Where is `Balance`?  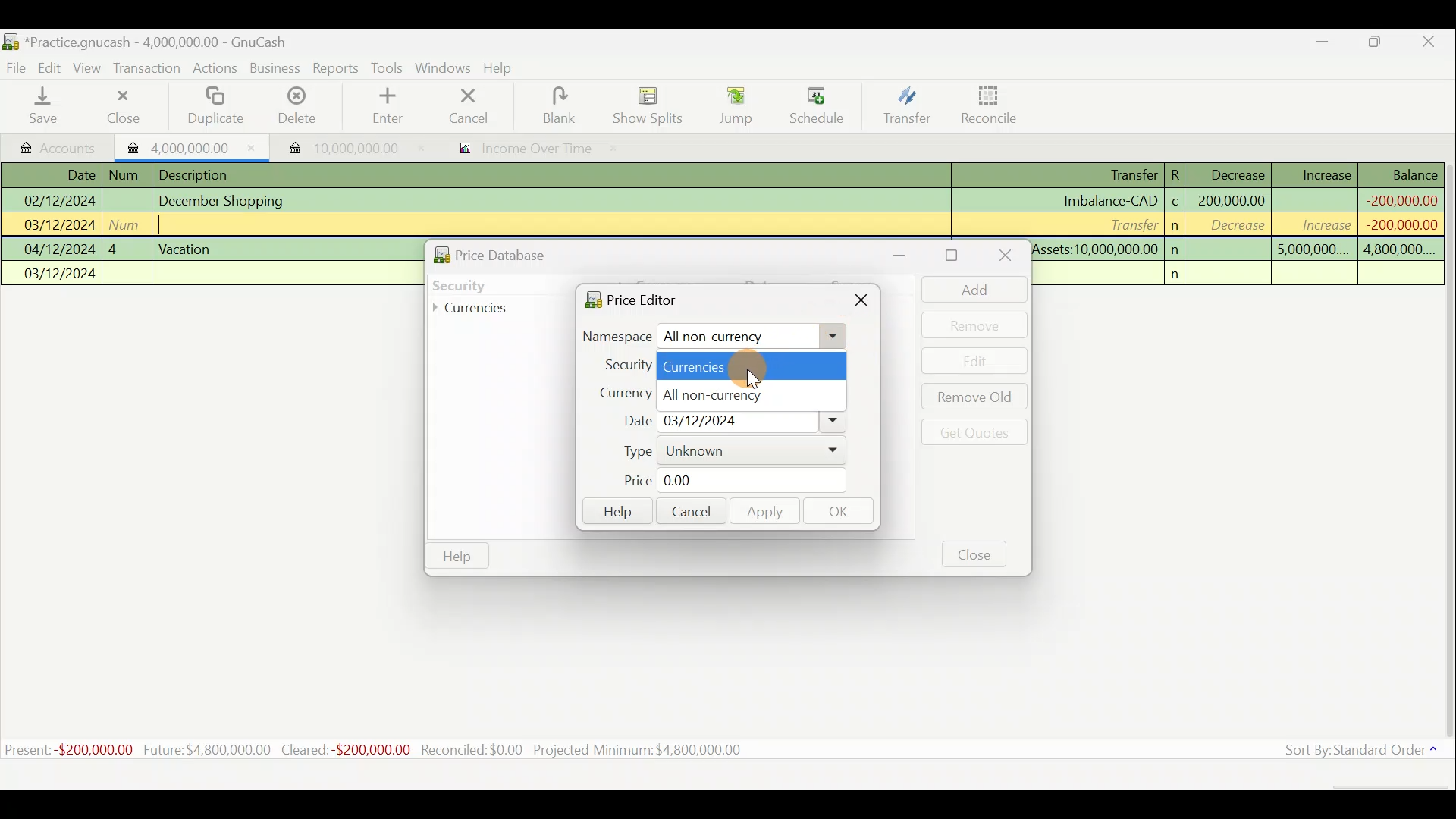 Balance is located at coordinates (1402, 174).